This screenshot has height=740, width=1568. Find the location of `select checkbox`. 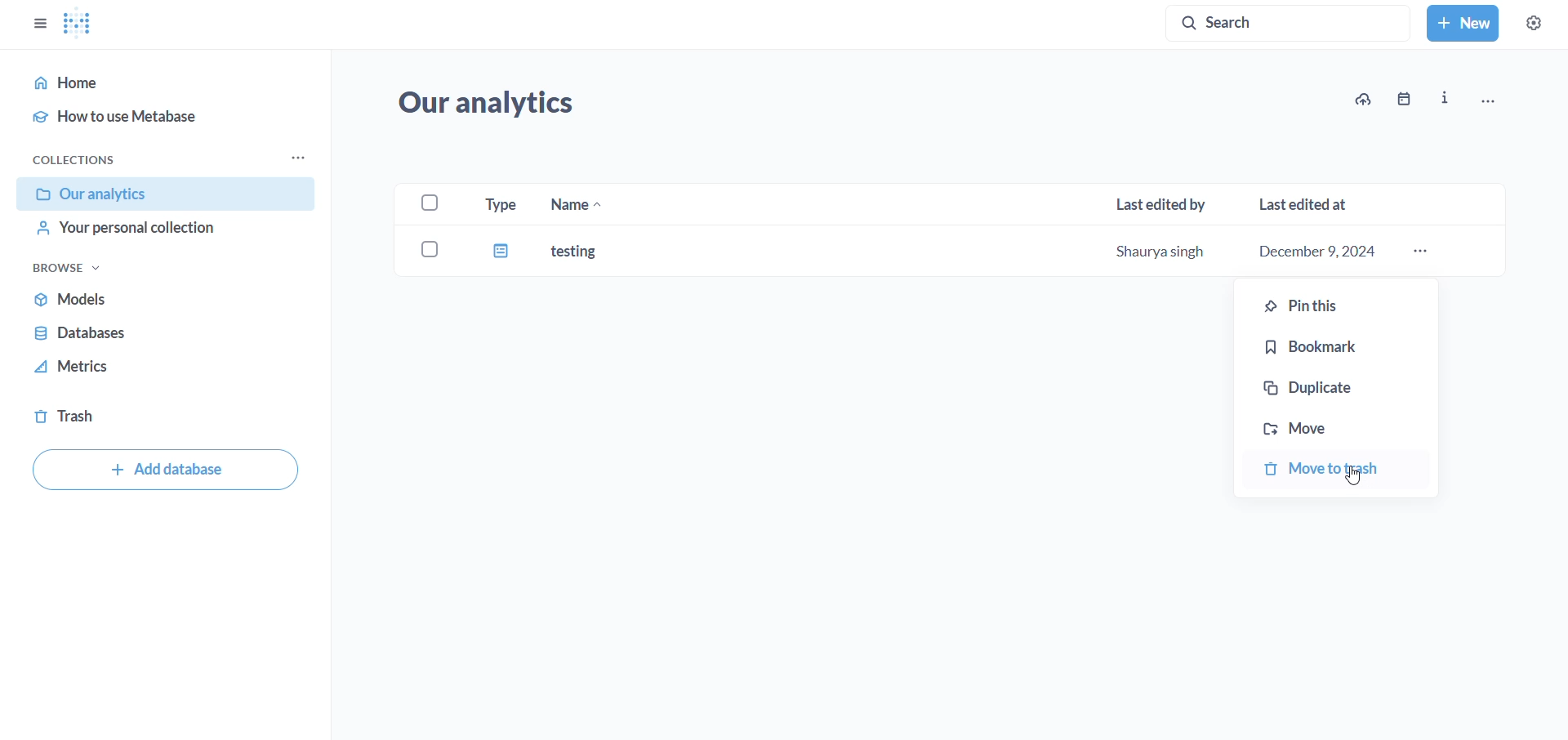

select checkbox is located at coordinates (433, 201).